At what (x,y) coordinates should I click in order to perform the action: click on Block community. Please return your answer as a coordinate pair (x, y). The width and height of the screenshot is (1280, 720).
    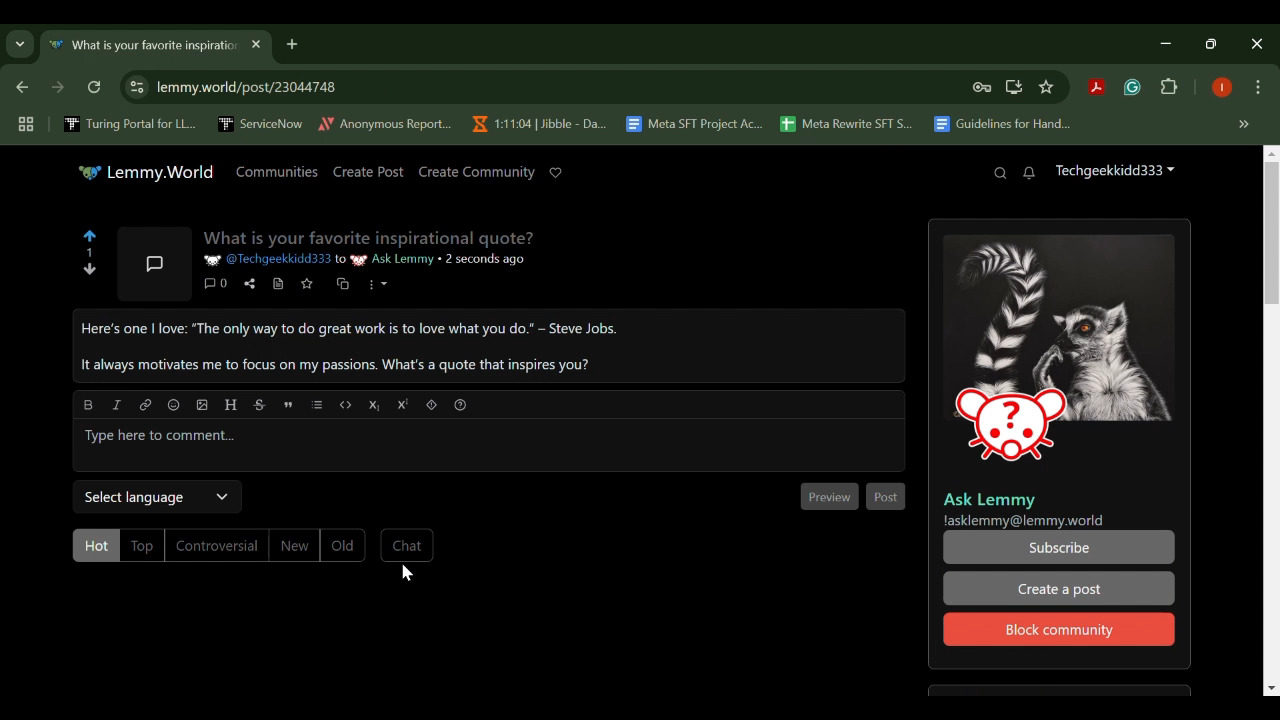
    Looking at the image, I should click on (1058, 626).